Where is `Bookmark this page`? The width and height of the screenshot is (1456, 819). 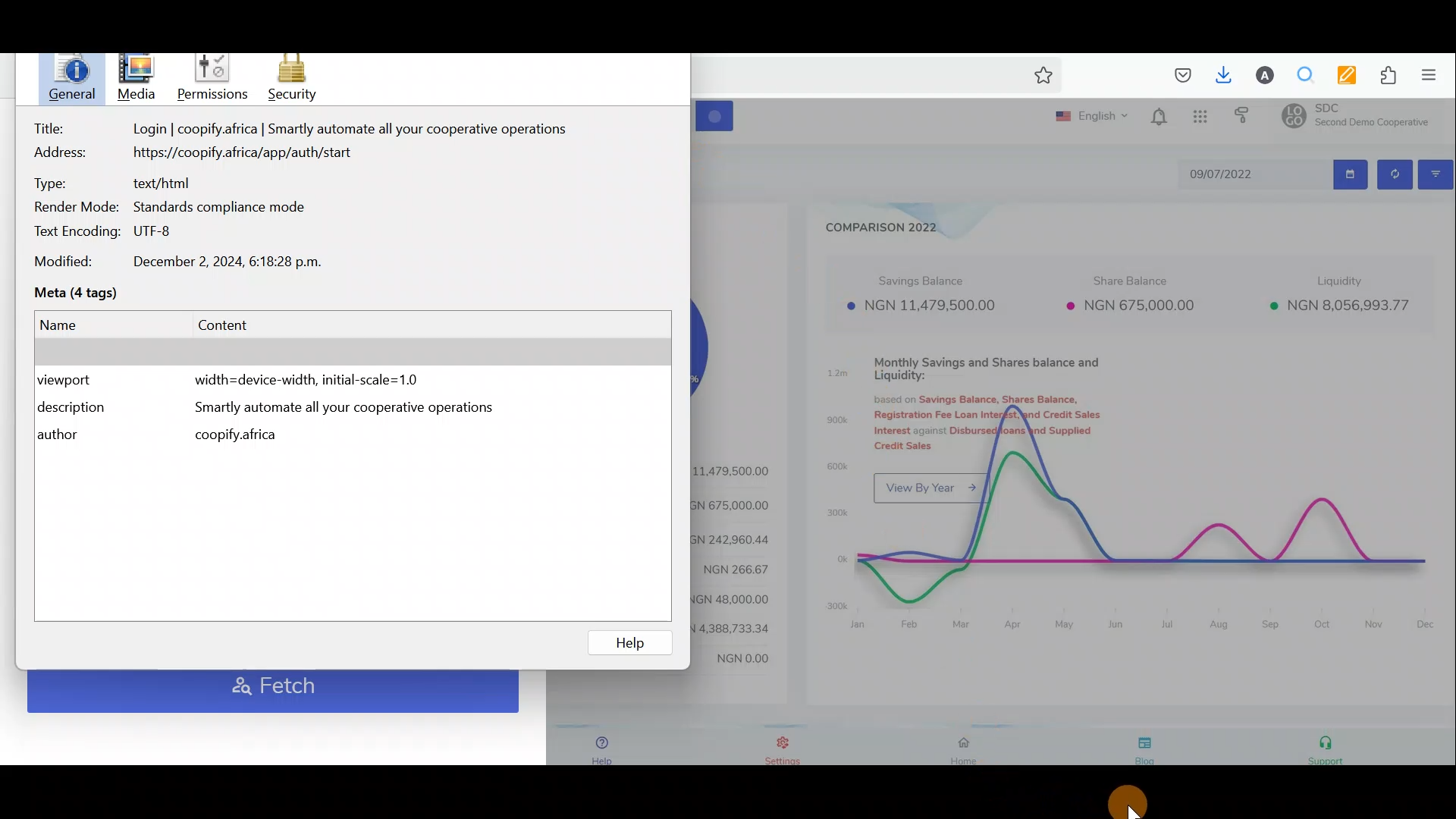 Bookmark this page is located at coordinates (1040, 78).